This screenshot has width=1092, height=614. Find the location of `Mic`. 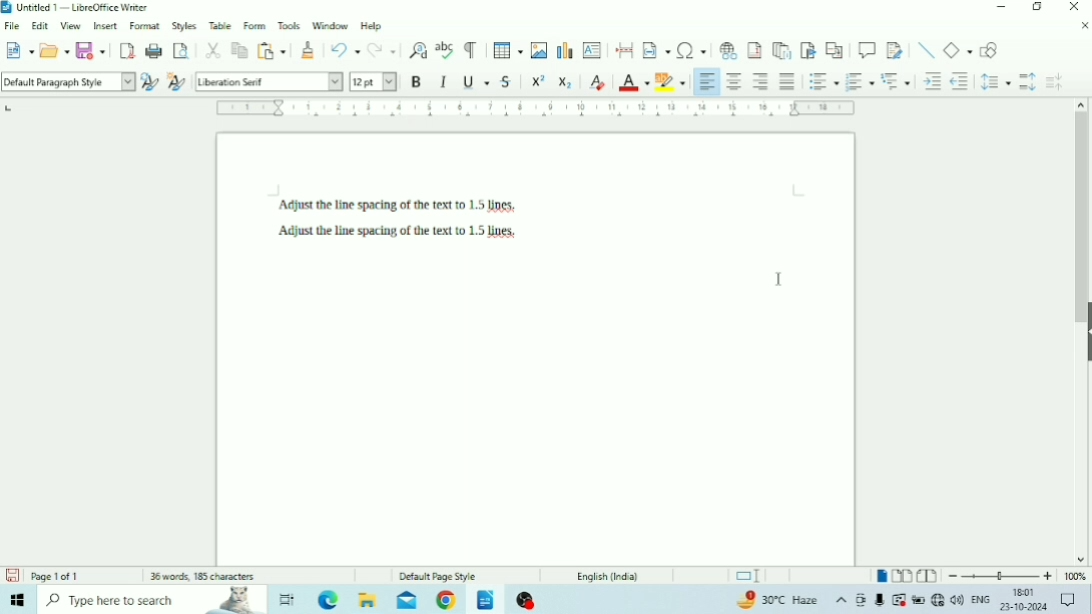

Mic is located at coordinates (879, 600).